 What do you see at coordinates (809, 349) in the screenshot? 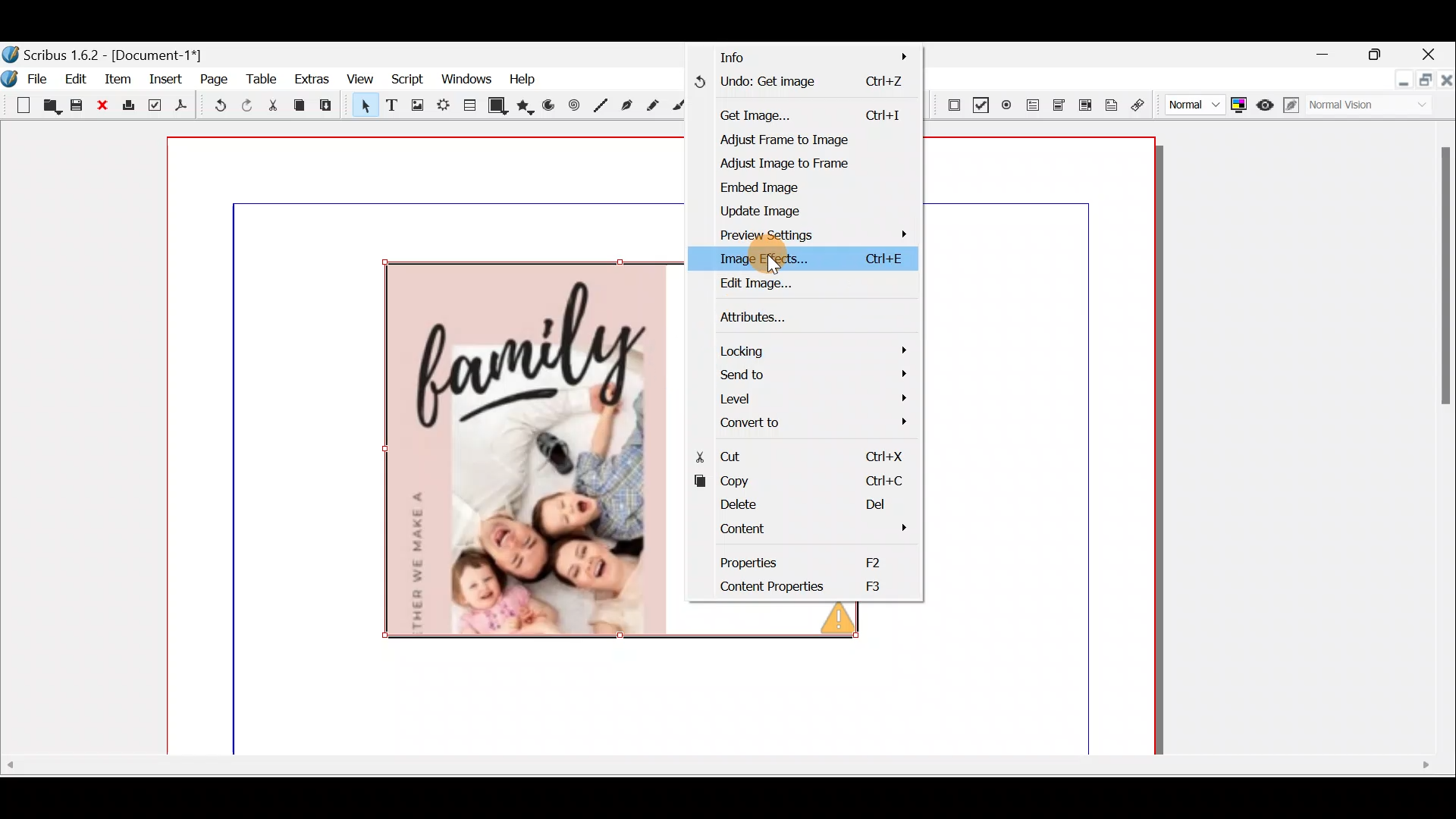
I see `Locking` at bounding box center [809, 349].